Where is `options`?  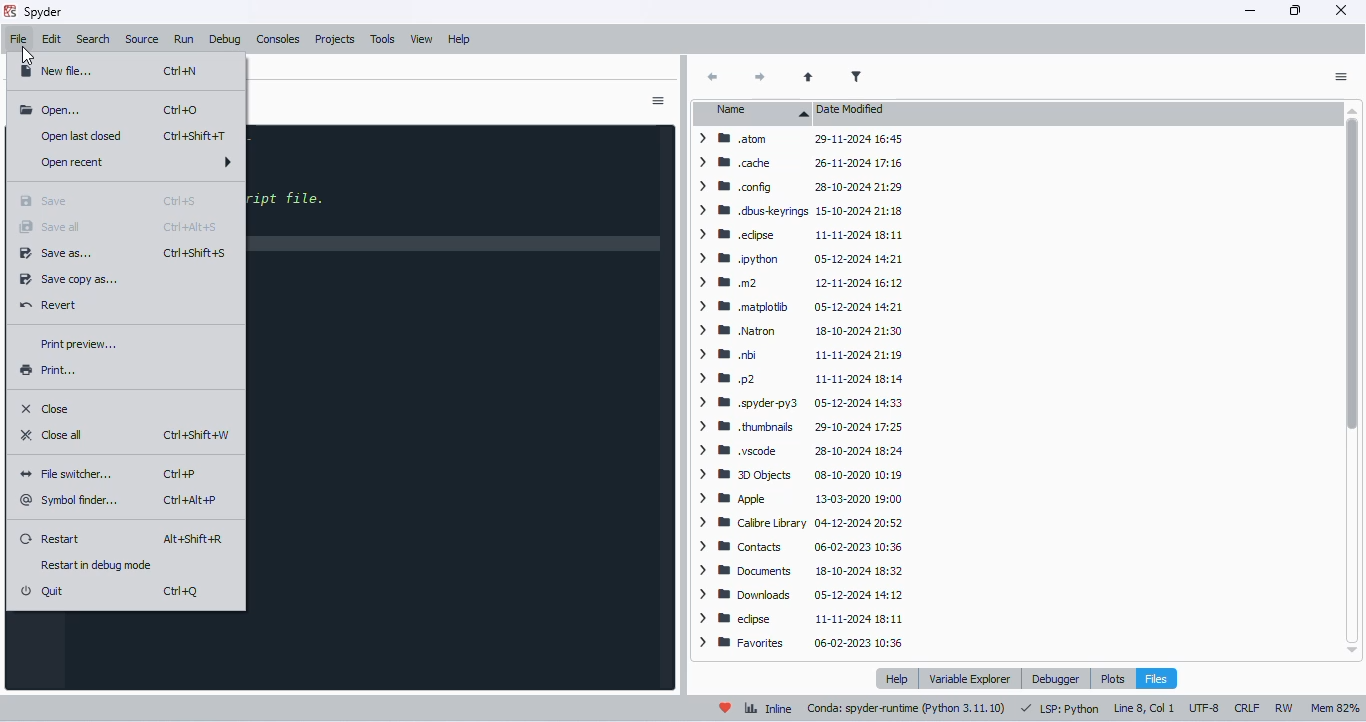
options is located at coordinates (658, 102).